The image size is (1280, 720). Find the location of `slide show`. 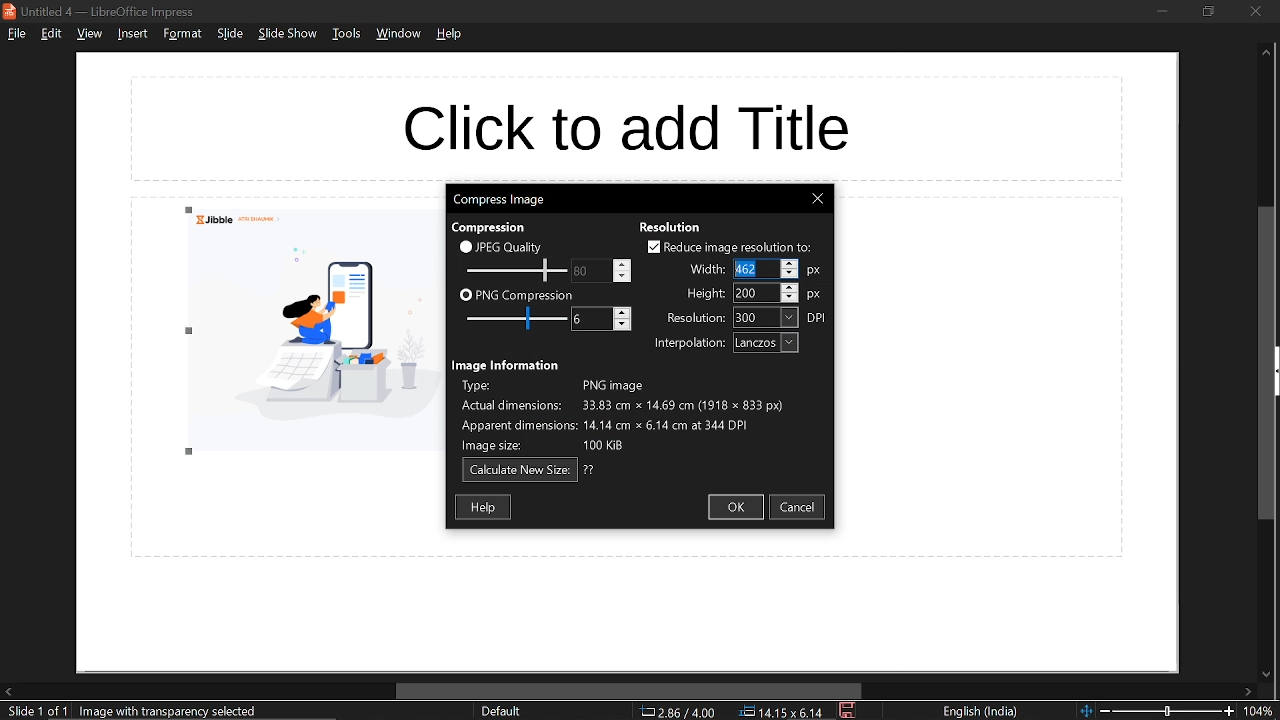

slide show is located at coordinates (288, 34).